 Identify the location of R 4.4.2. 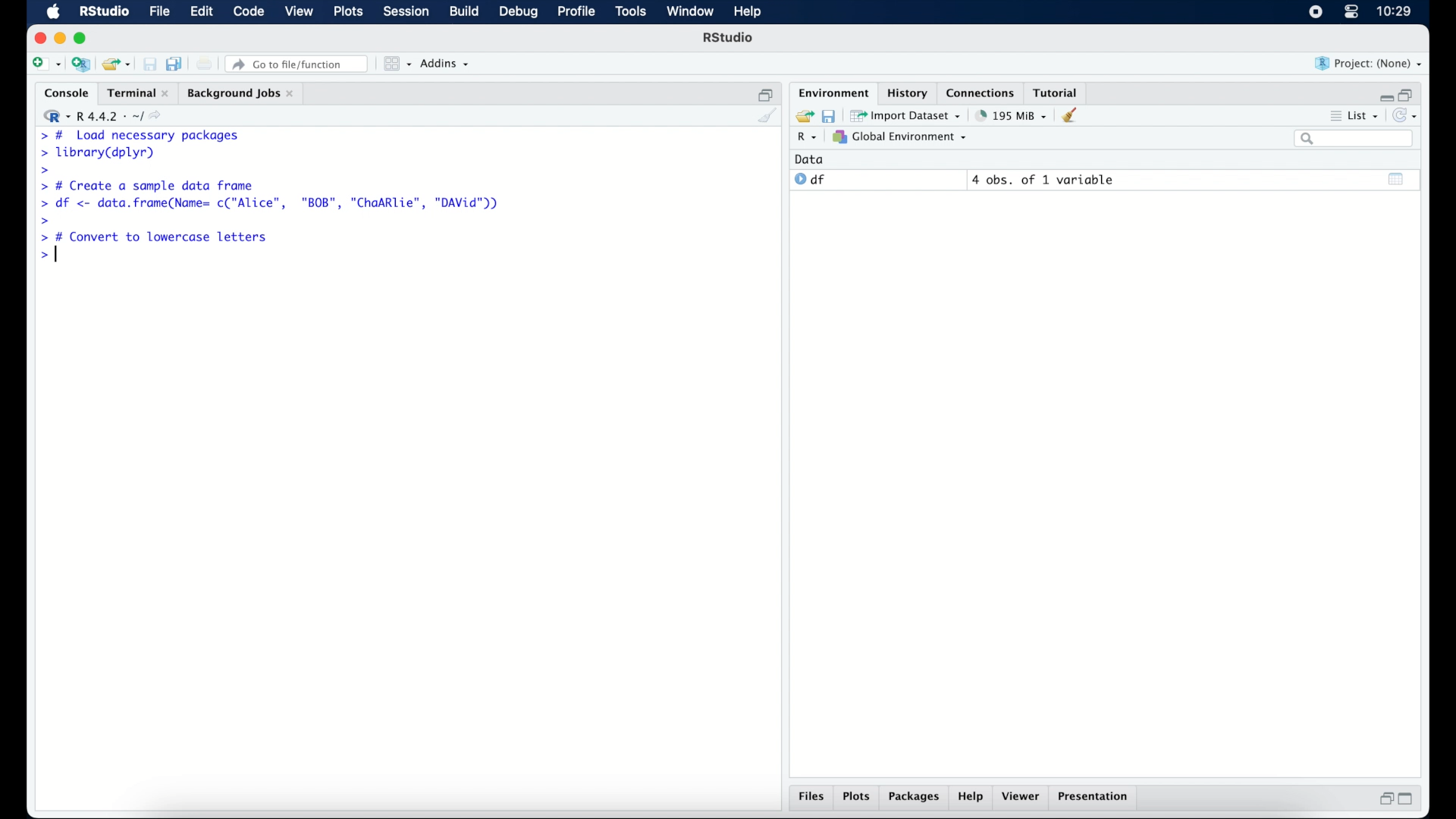
(106, 117).